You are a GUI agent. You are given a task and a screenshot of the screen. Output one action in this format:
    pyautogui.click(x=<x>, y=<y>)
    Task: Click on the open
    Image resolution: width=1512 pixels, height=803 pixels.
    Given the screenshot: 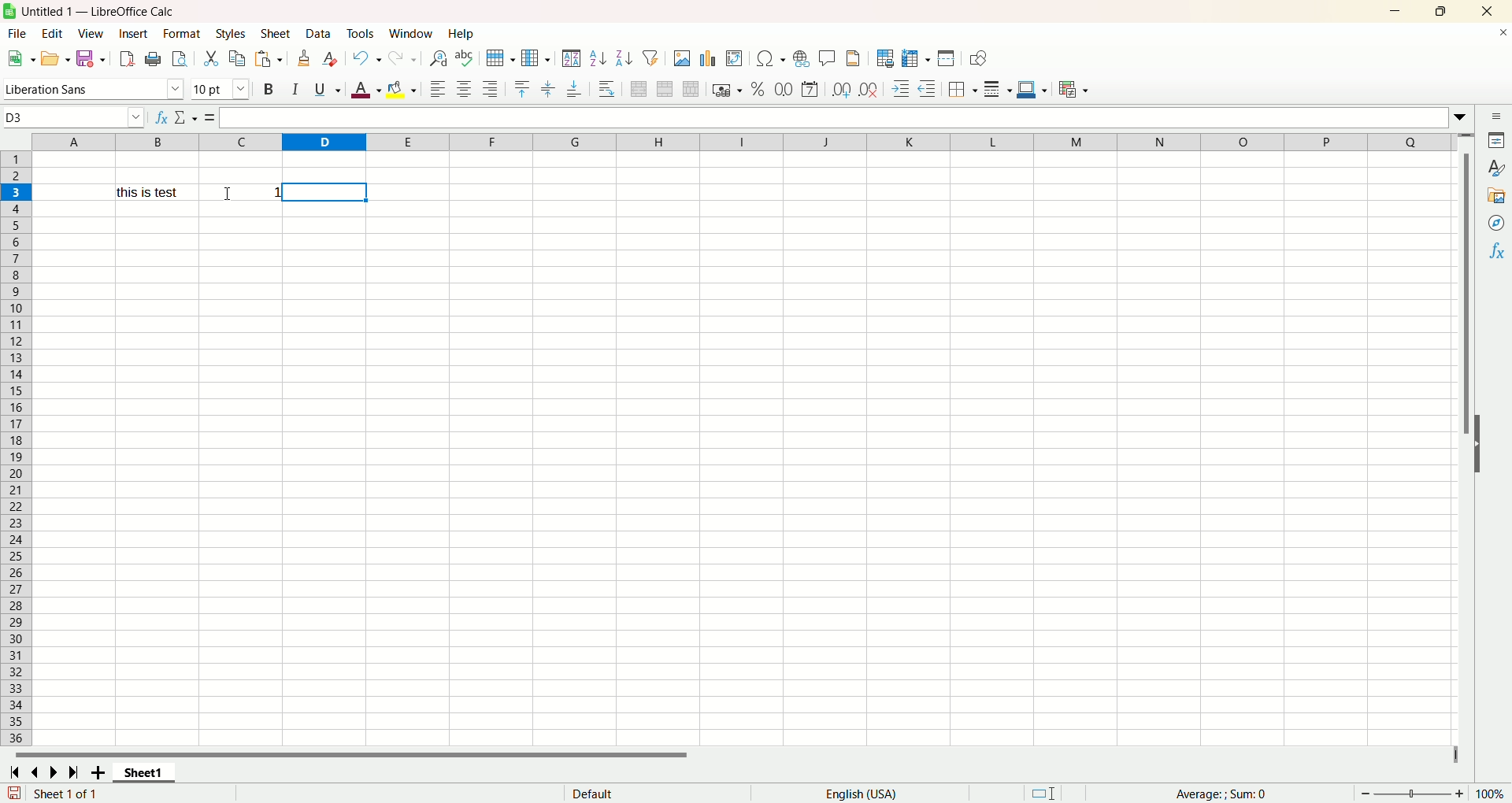 What is the action you would take?
    pyautogui.click(x=55, y=59)
    